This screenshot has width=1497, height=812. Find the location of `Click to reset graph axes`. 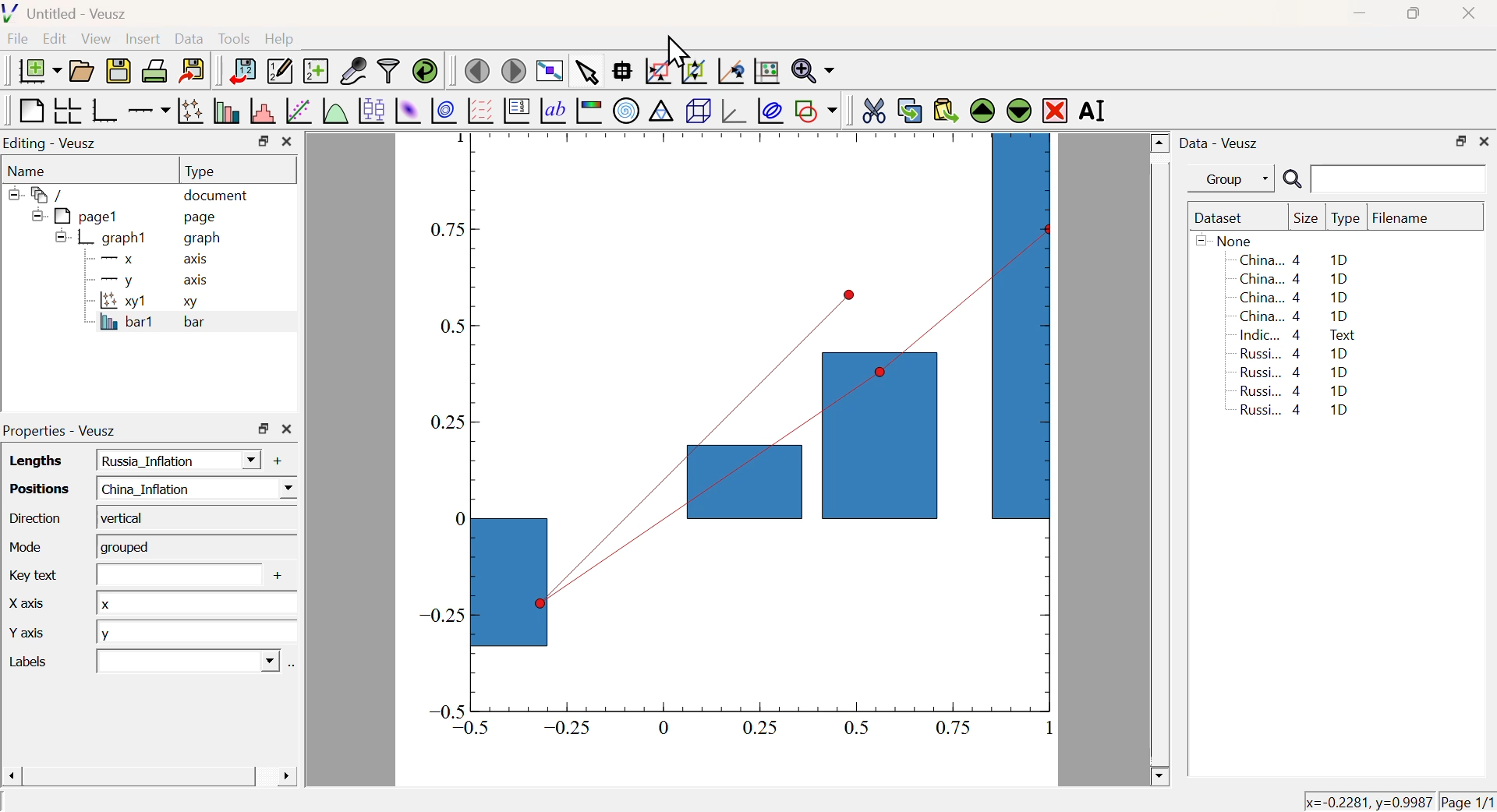

Click to reset graph axes is located at coordinates (728, 72).